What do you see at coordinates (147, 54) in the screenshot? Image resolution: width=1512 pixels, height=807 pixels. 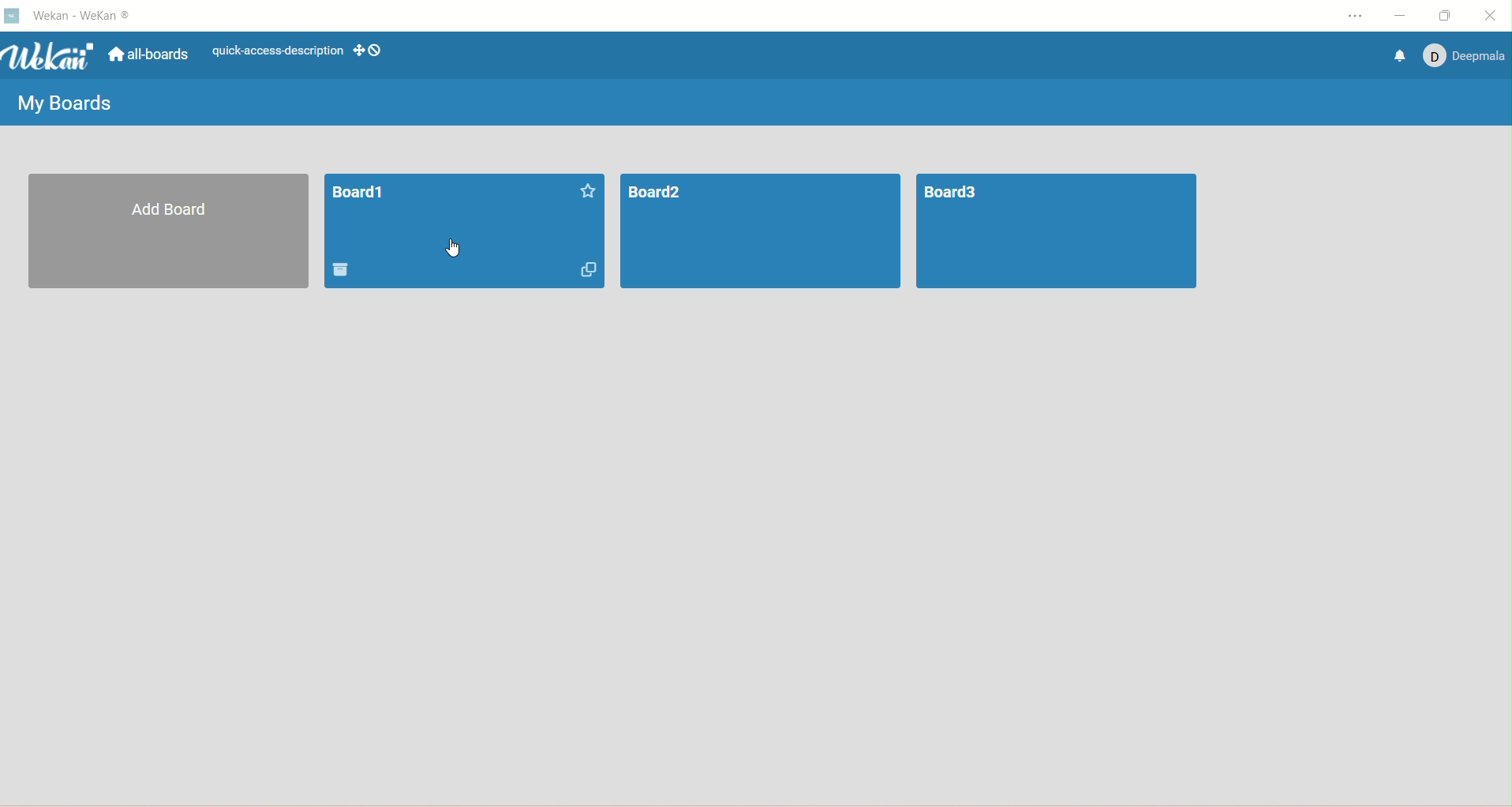 I see `all boards` at bounding box center [147, 54].